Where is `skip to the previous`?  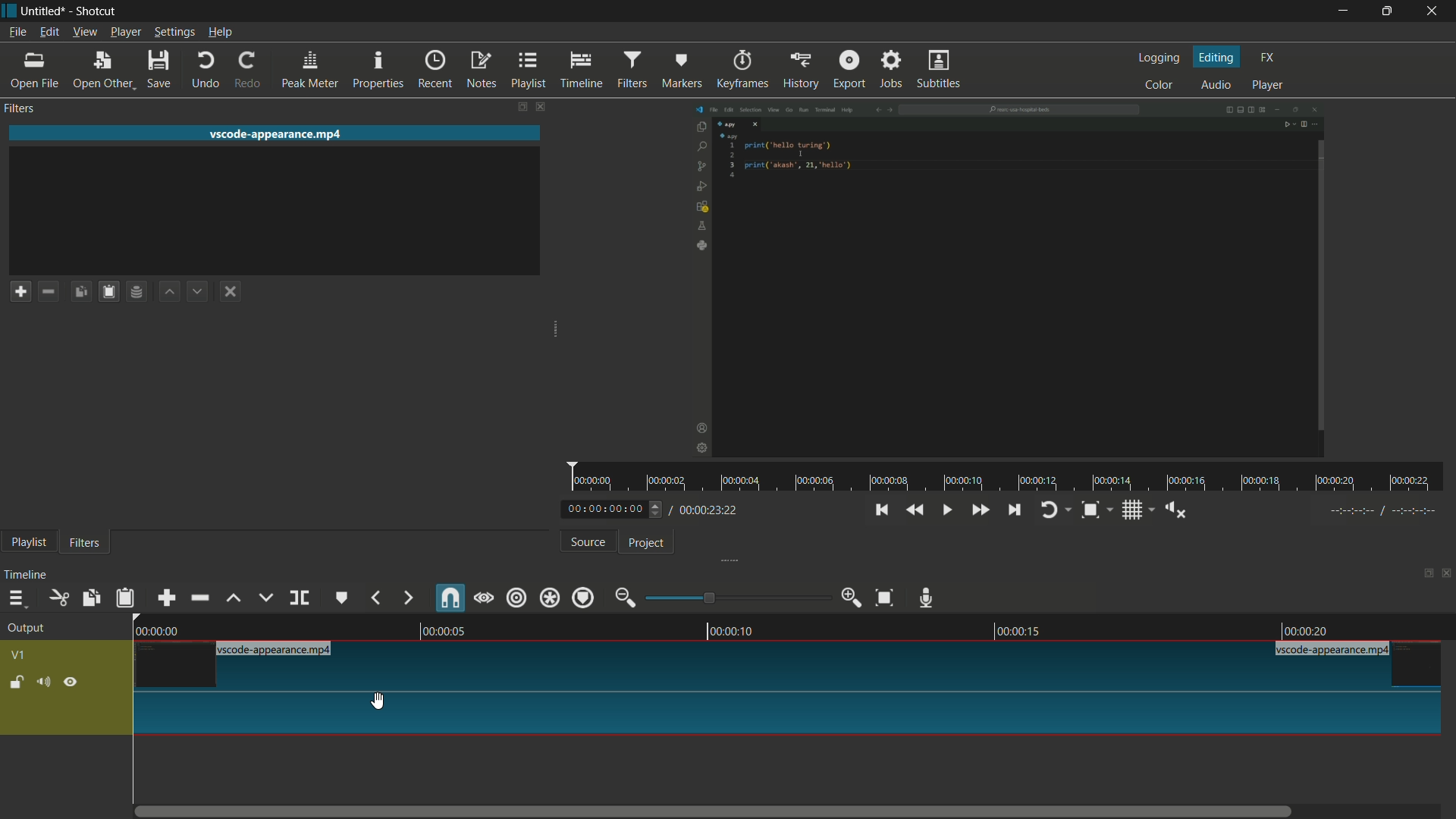
skip to the previous is located at coordinates (882, 510).